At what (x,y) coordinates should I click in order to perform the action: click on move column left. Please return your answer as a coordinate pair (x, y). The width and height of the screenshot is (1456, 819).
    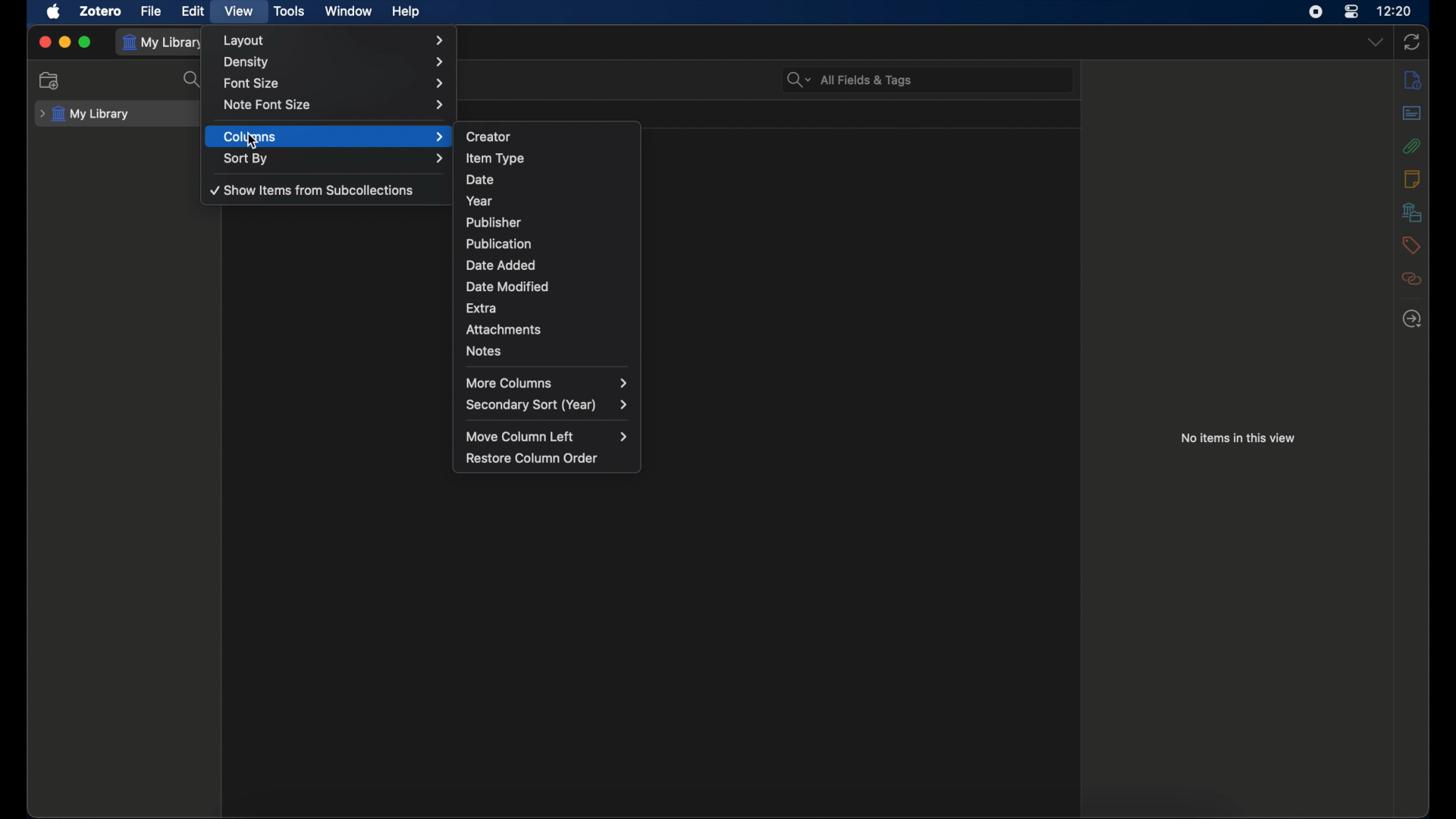
    Looking at the image, I should click on (548, 436).